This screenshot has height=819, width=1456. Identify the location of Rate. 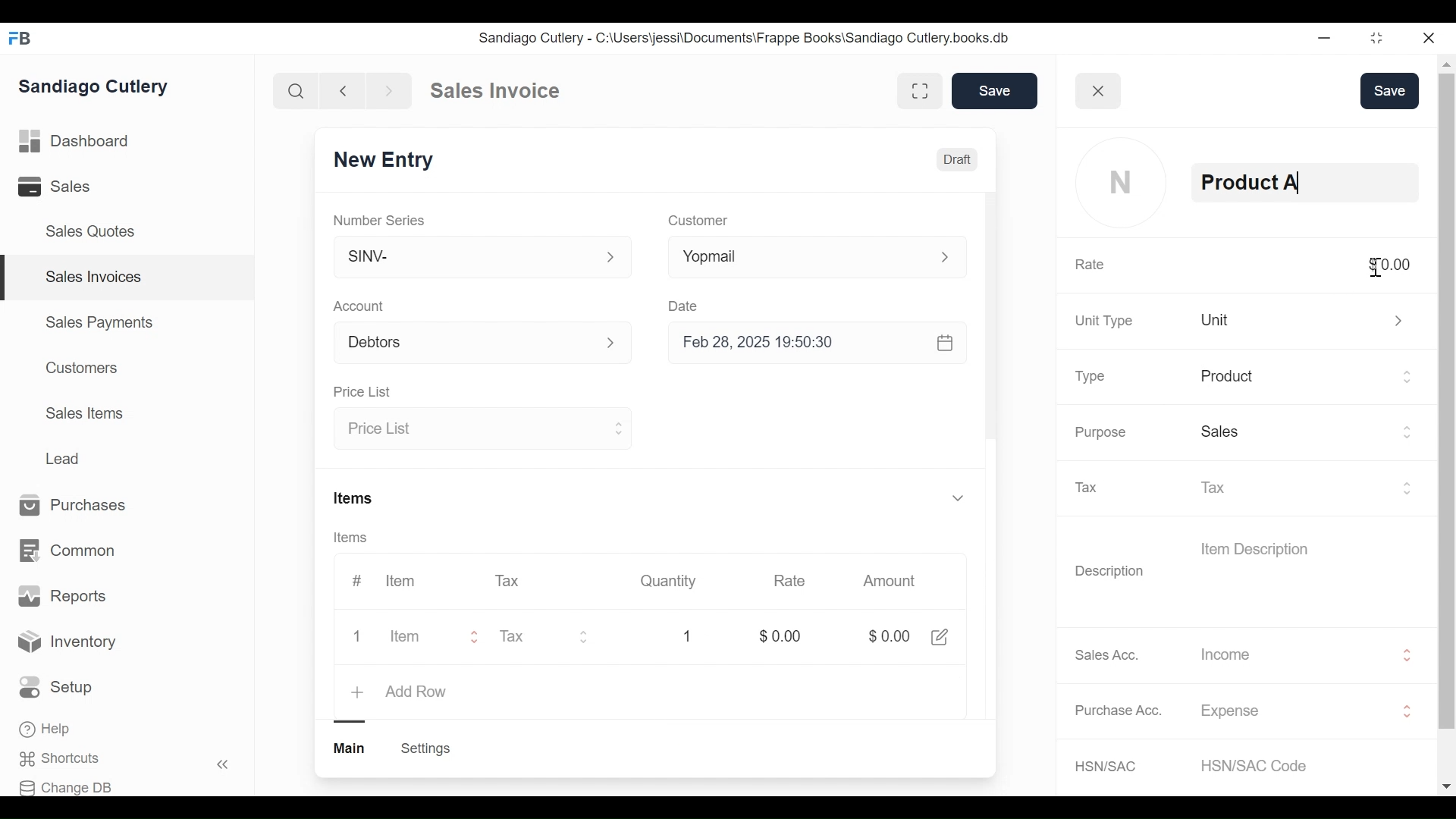
(1090, 265).